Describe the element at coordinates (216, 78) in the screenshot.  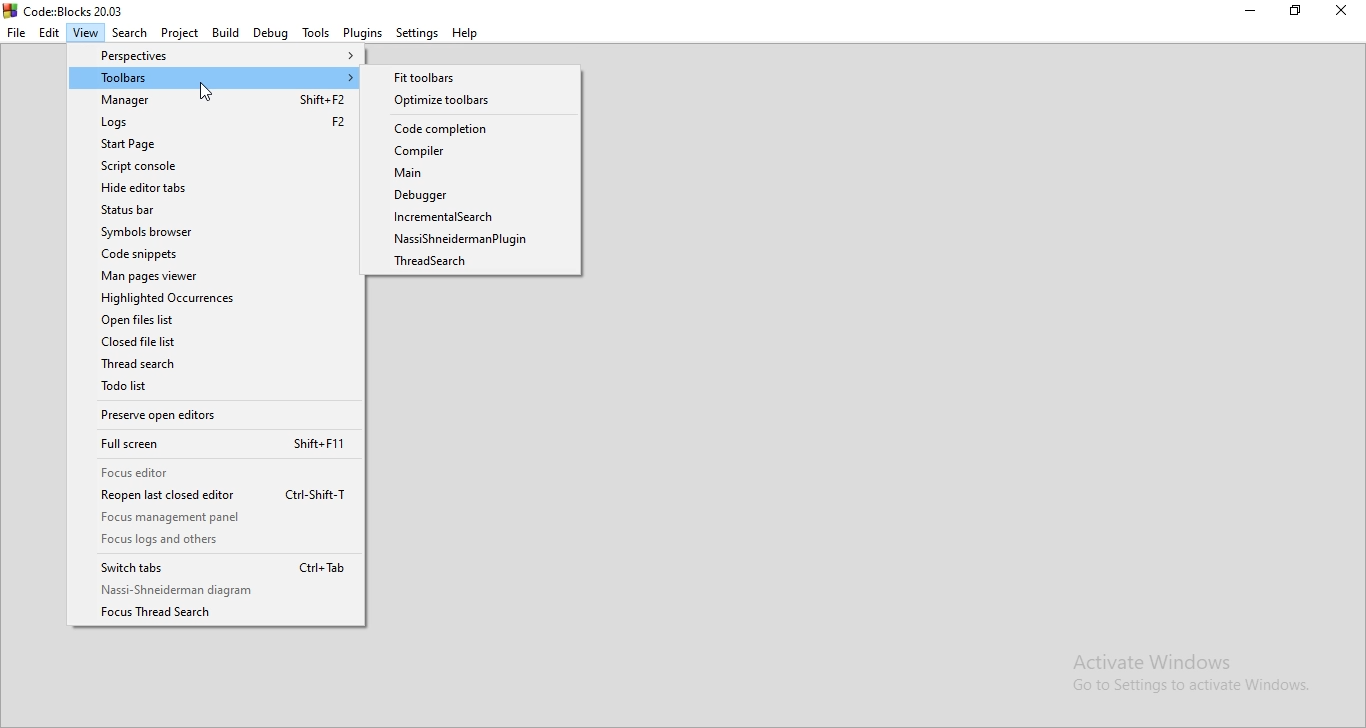
I see `Toolbars` at that location.